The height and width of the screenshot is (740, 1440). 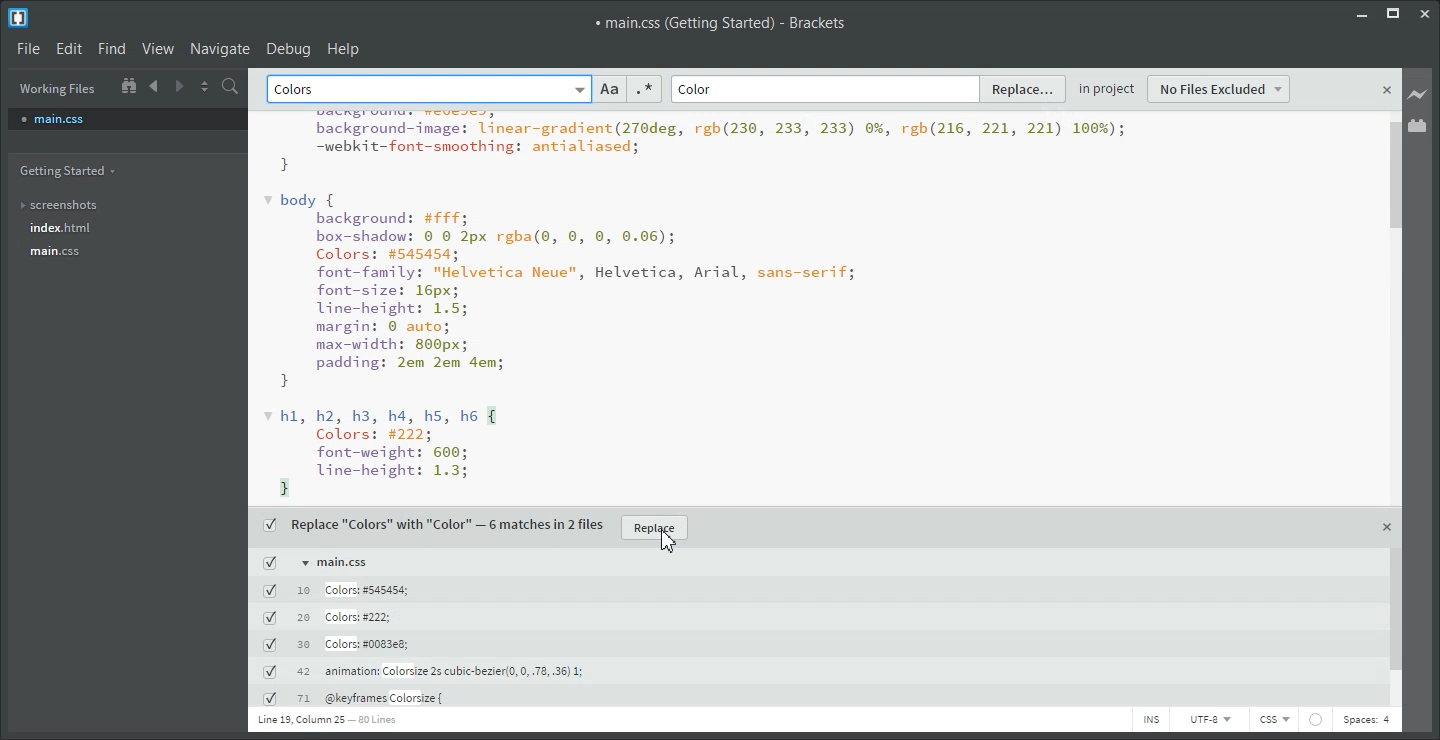 What do you see at coordinates (58, 89) in the screenshot?
I see `Working Files` at bounding box center [58, 89].